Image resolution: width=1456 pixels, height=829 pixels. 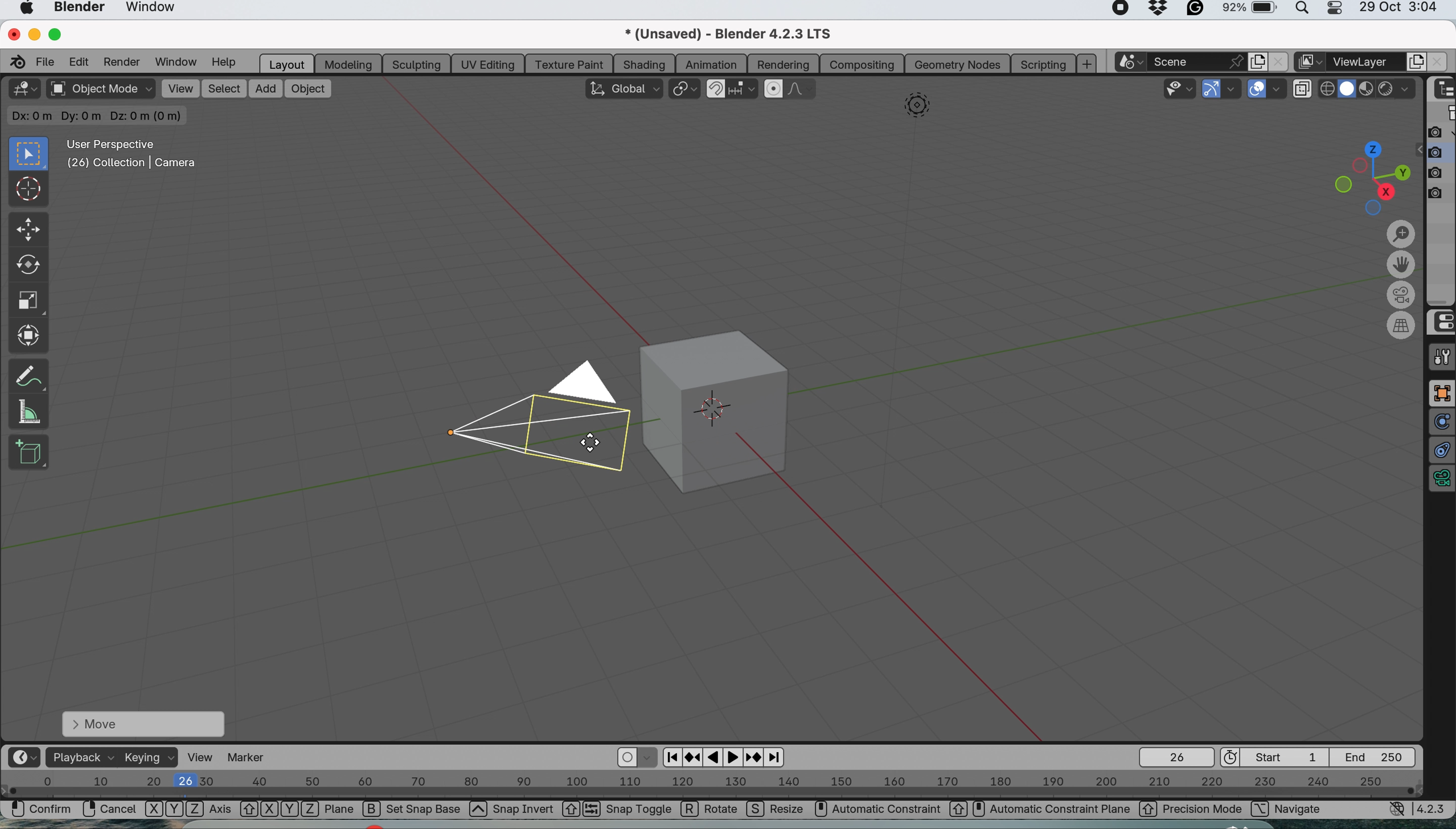 What do you see at coordinates (776, 758) in the screenshot?
I see `next` at bounding box center [776, 758].